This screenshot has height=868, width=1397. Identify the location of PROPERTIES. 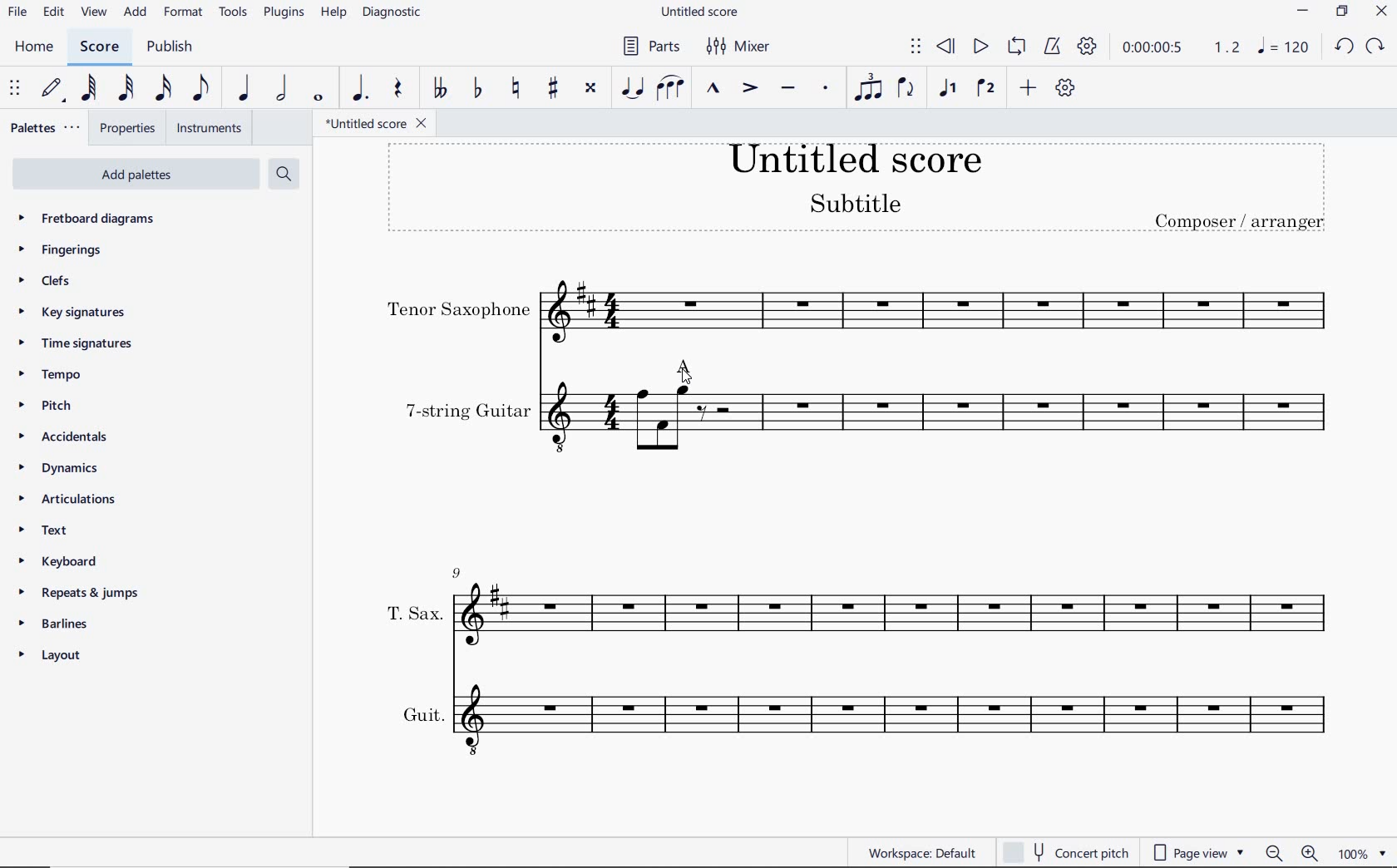
(128, 130).